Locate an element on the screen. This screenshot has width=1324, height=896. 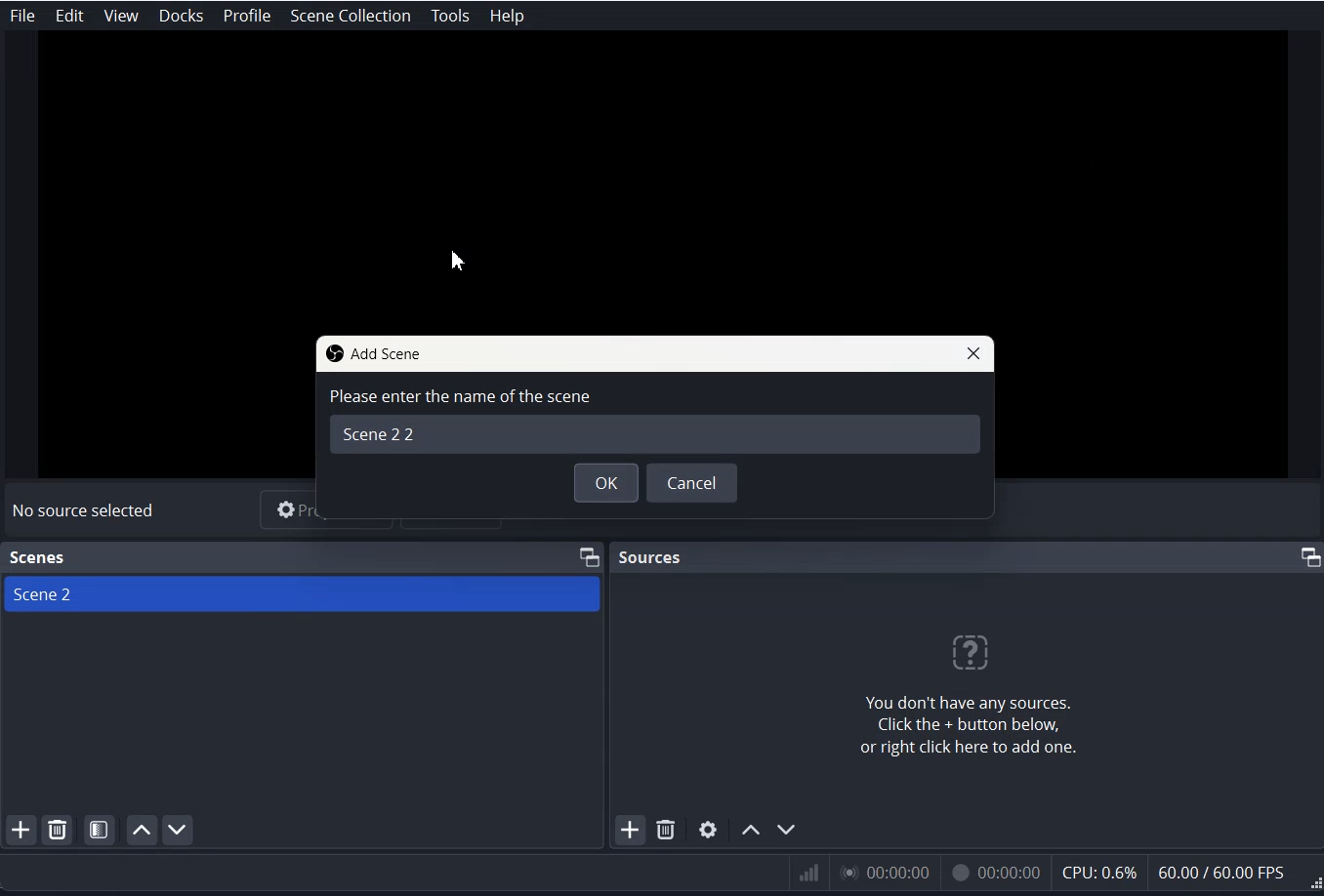
File is located at coordinates (21, 16).